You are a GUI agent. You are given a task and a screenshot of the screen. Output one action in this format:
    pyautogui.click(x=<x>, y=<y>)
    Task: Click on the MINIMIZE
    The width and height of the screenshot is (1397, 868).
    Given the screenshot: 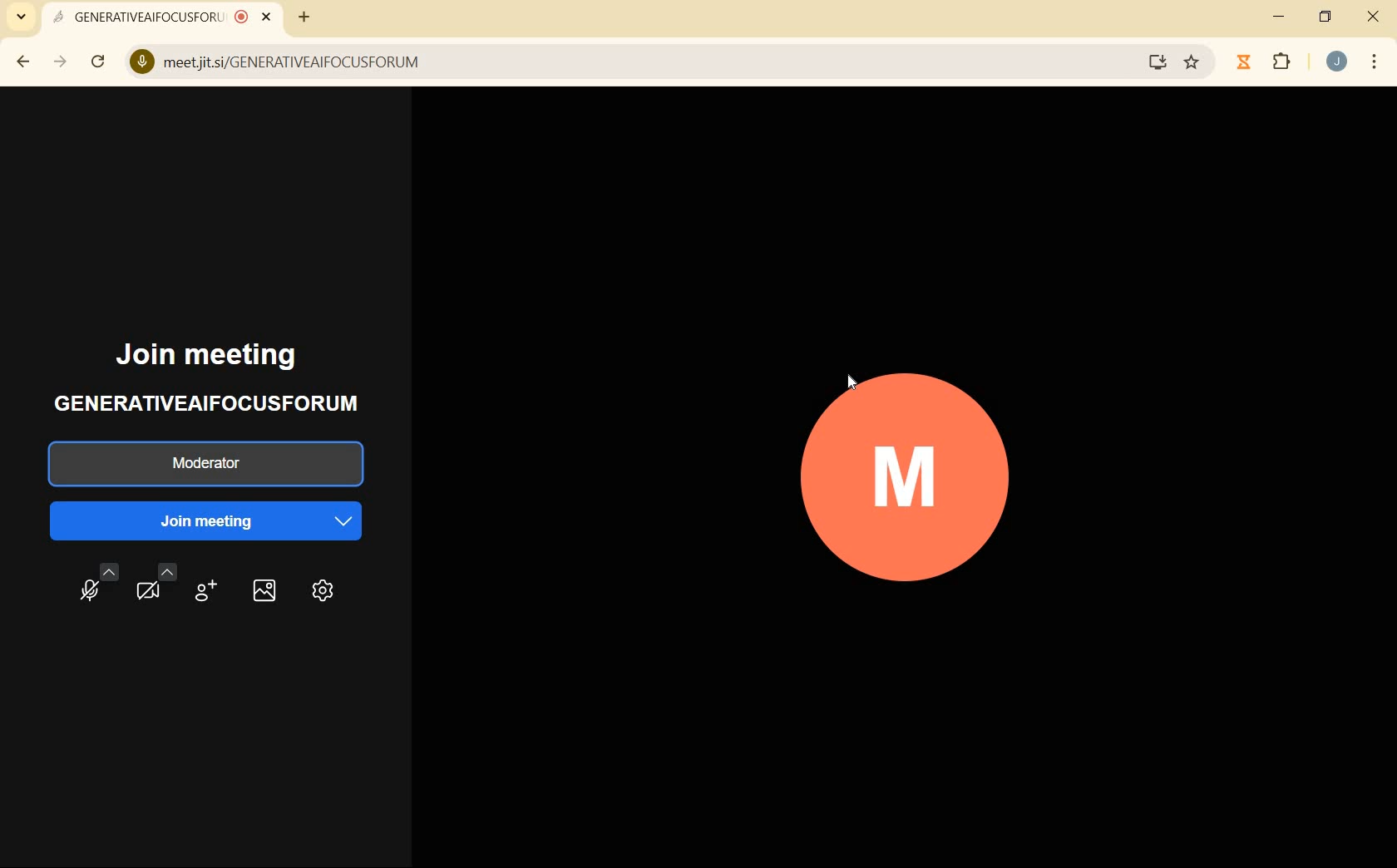 What is the action you would take?
    pyautogui.click(x=1276, y=17)
    